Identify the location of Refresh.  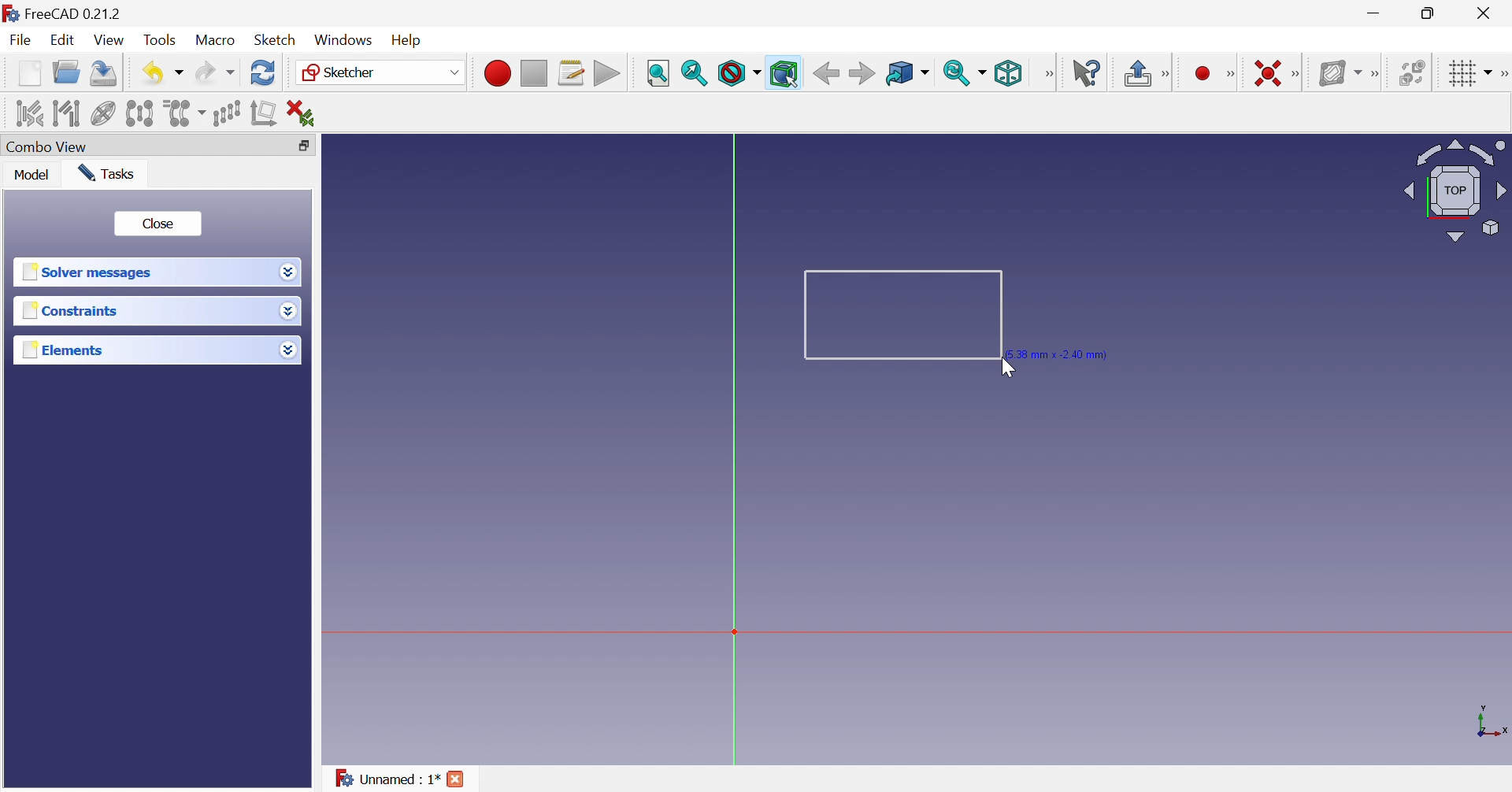
(264, 73).